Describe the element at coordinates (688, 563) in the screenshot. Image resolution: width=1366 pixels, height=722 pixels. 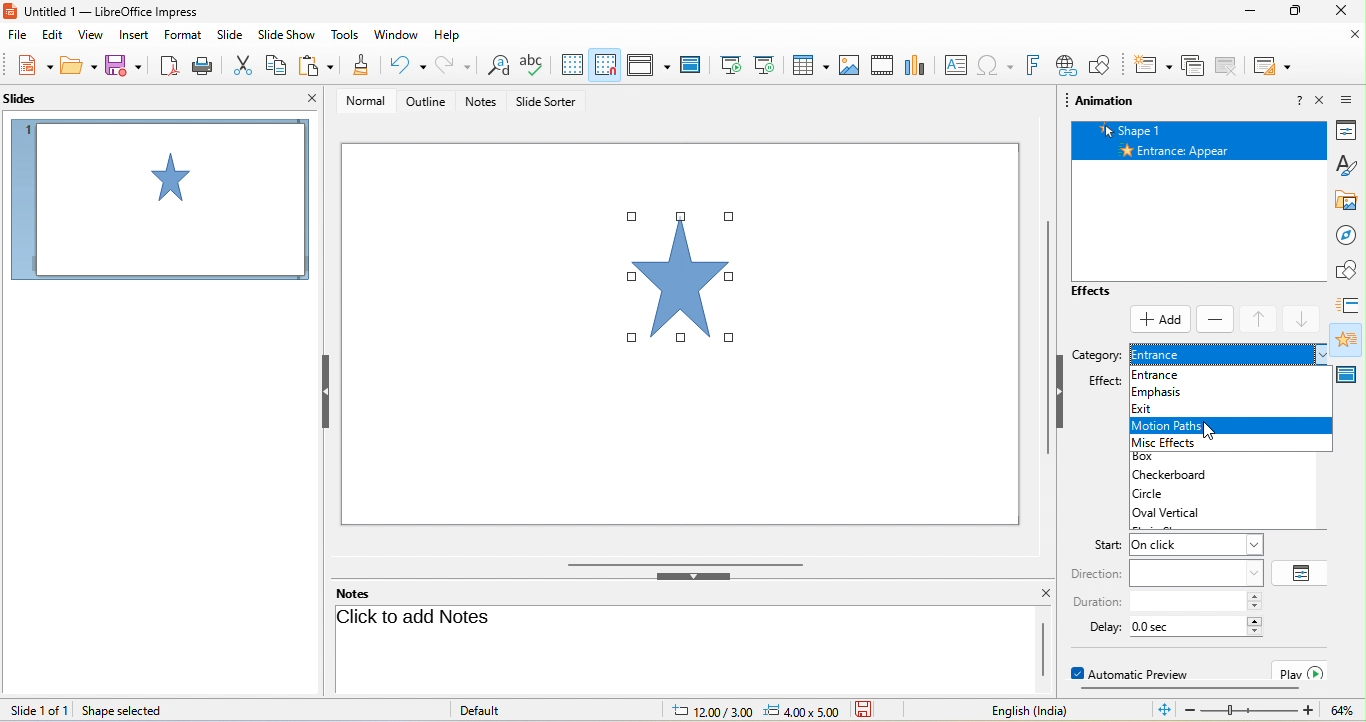
I see `horizontal scrollbar` at that location.